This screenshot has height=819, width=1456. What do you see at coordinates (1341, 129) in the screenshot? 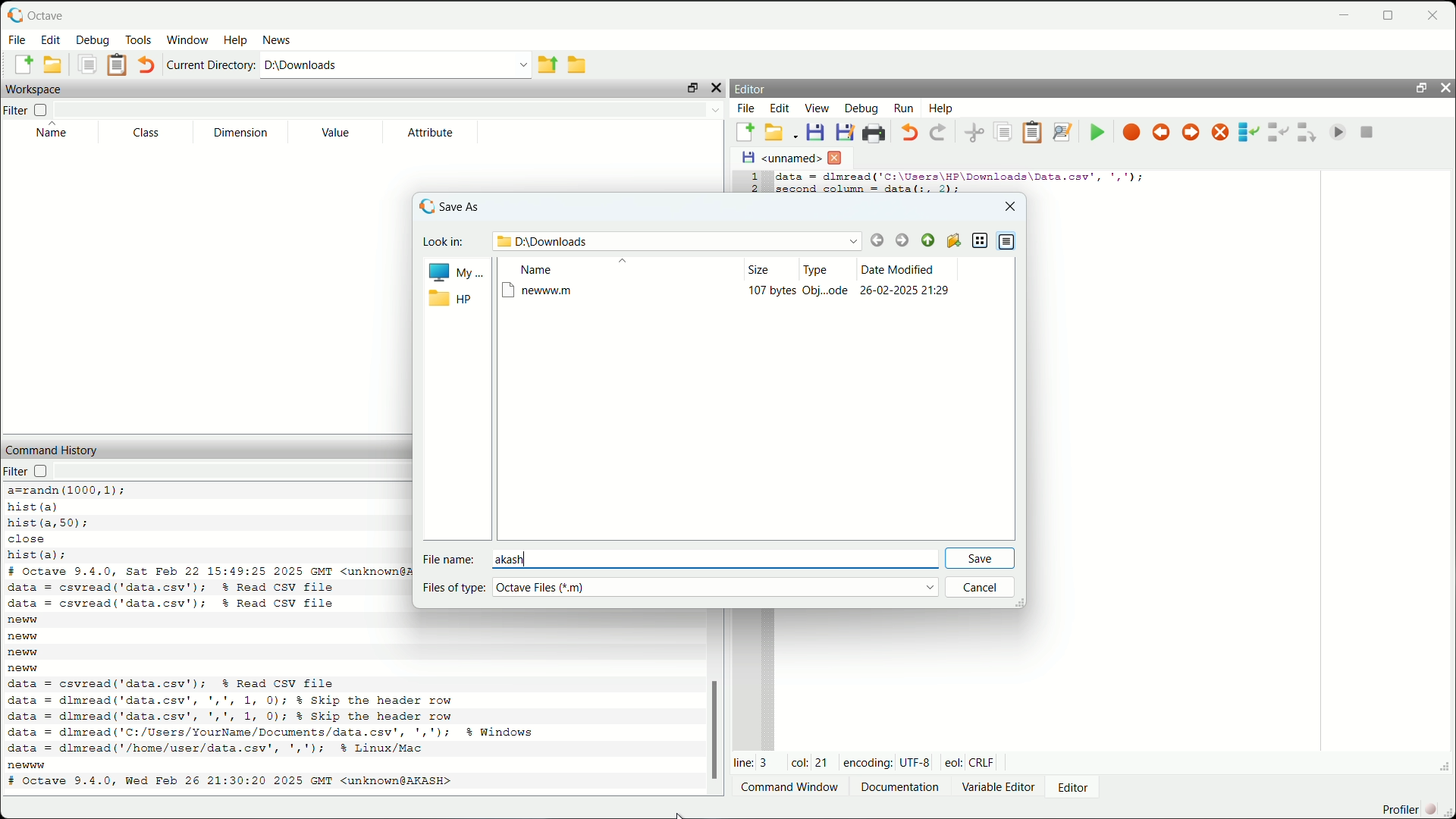
I see `continue` at bounding box center [1341, 129].